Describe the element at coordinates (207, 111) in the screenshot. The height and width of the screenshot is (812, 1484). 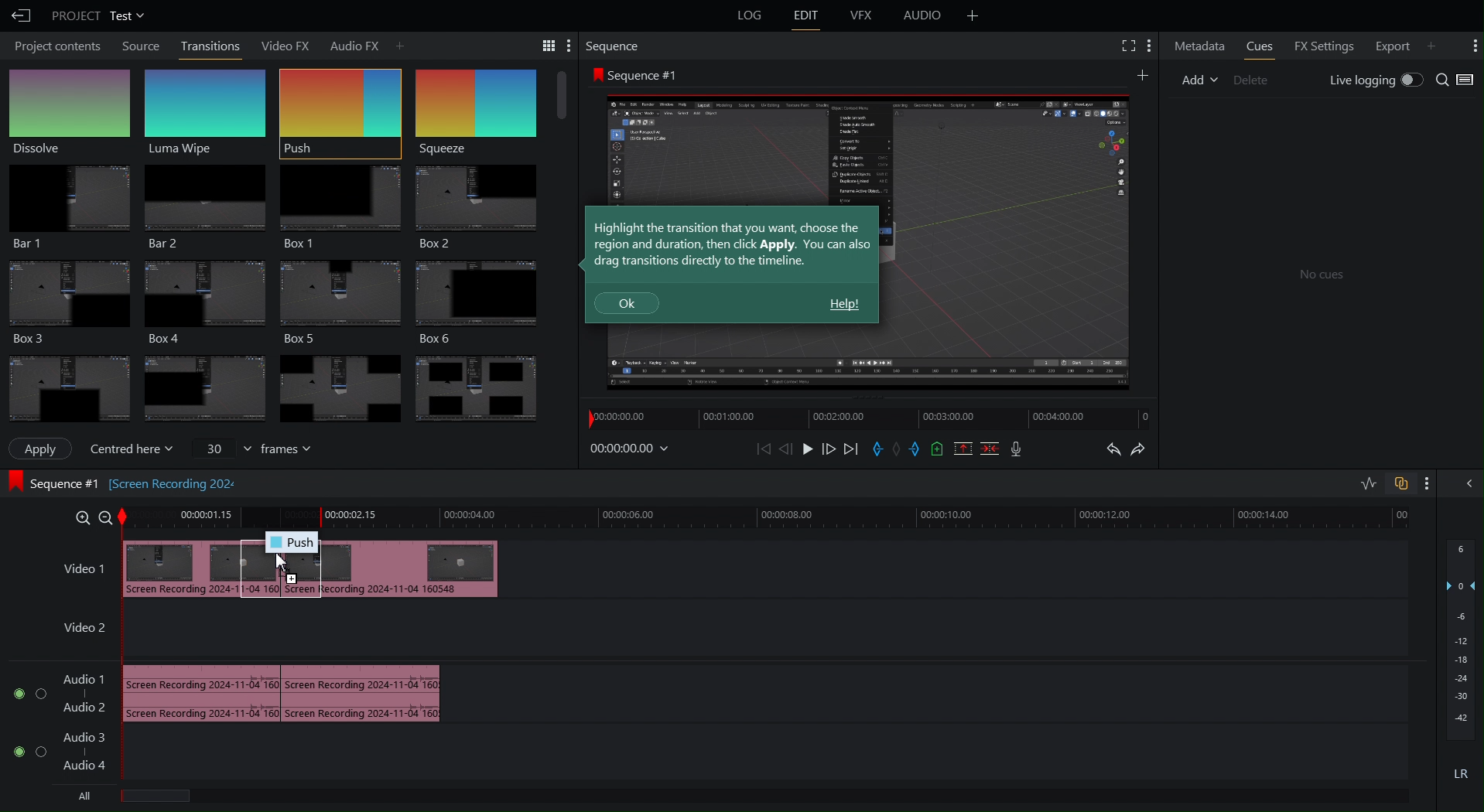
I see `Luma Wipe` at that location.